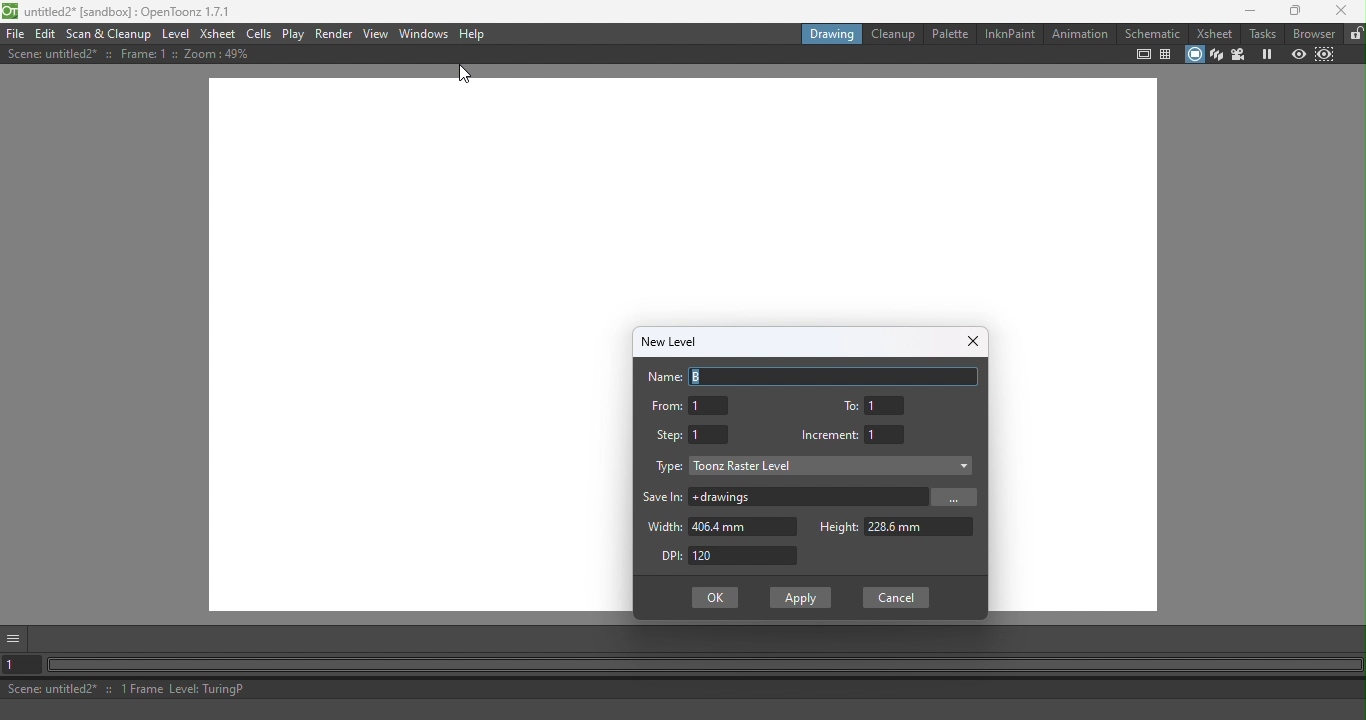  What do you see at coordinates (1078, 37) in the screenshot?
I see `Animation` at bounding box center [1078, 37].